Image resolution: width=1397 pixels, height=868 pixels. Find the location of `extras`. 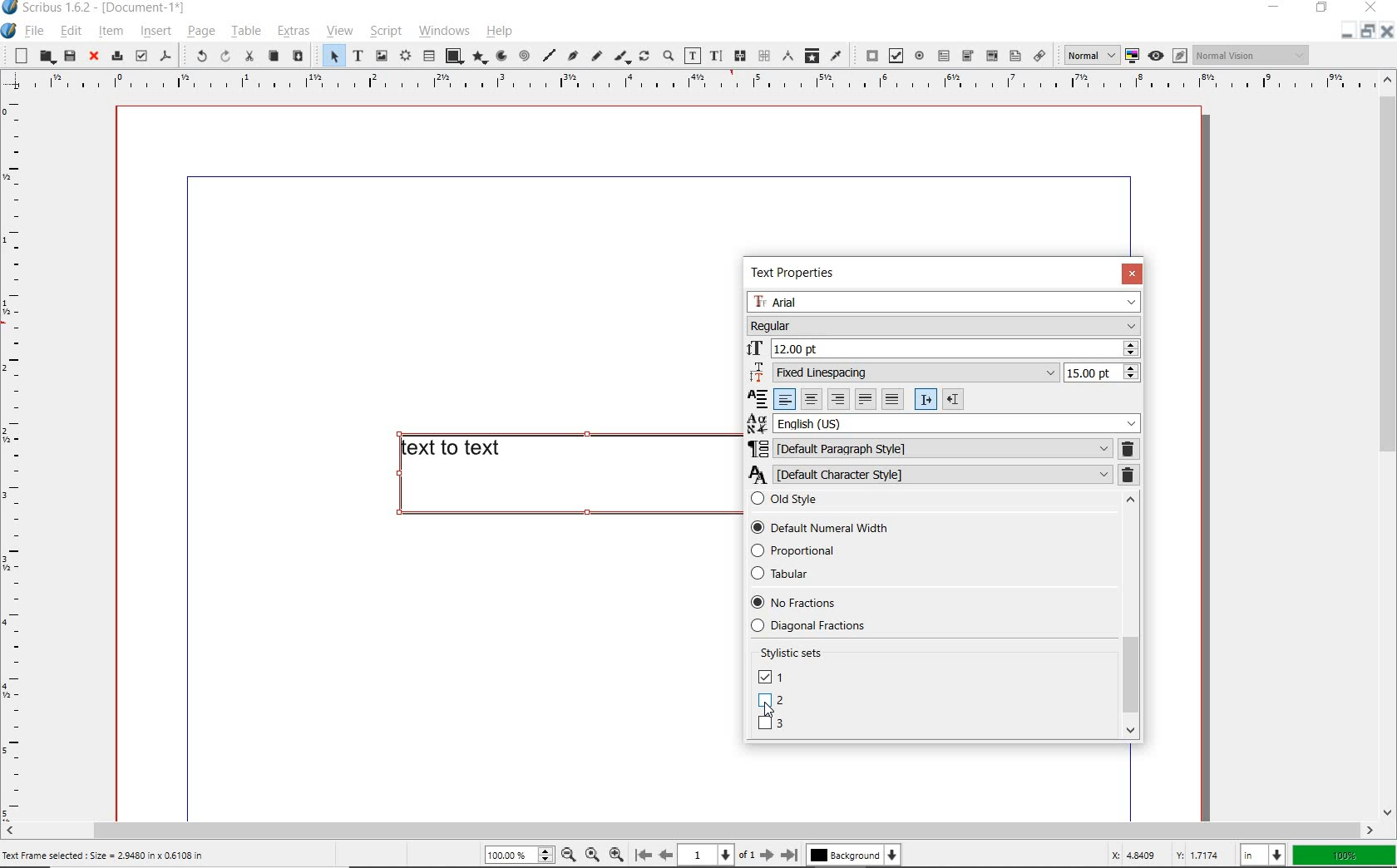

extras is located at coordinates (293, 33).